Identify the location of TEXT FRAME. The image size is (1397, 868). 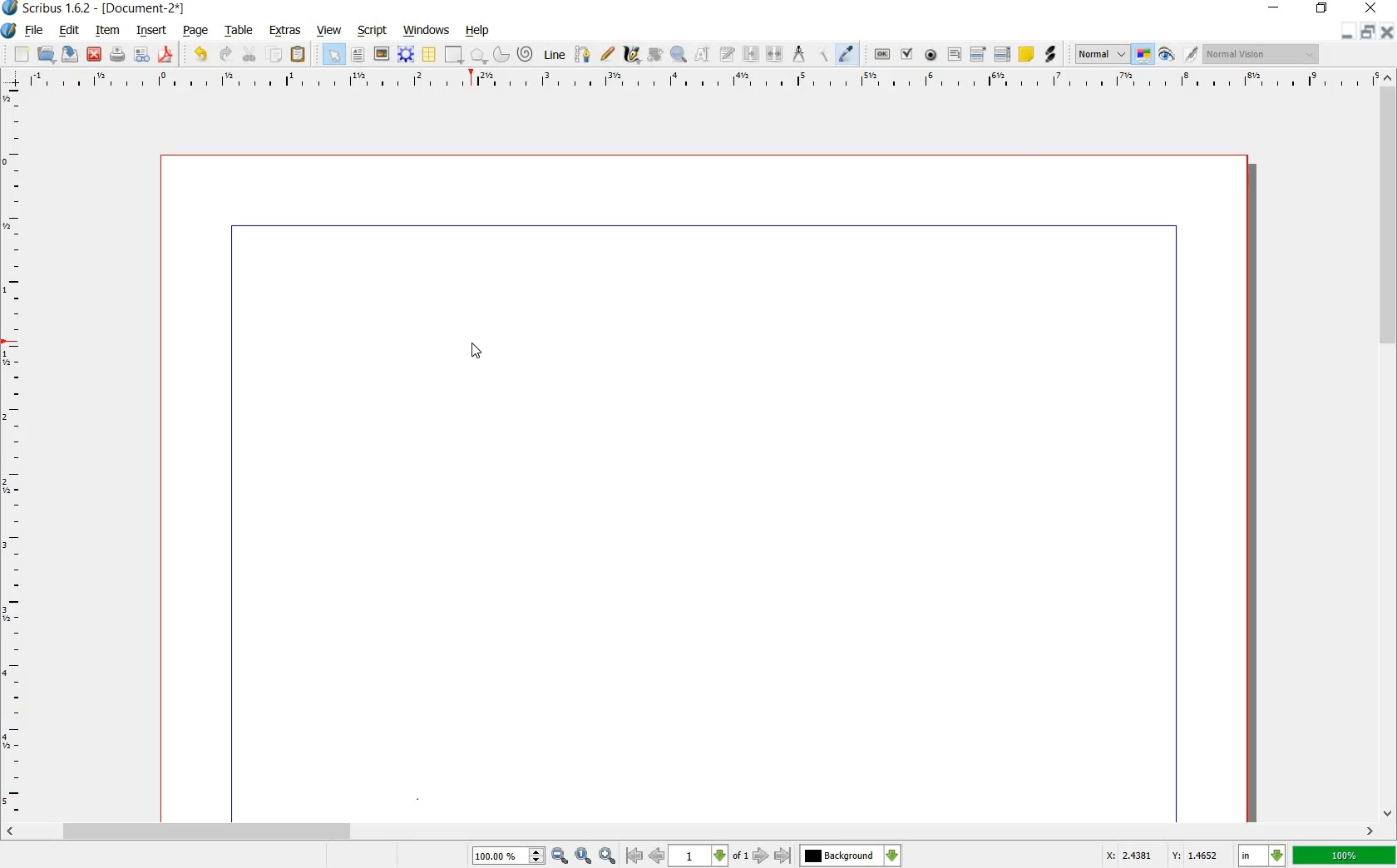
(358, 55).